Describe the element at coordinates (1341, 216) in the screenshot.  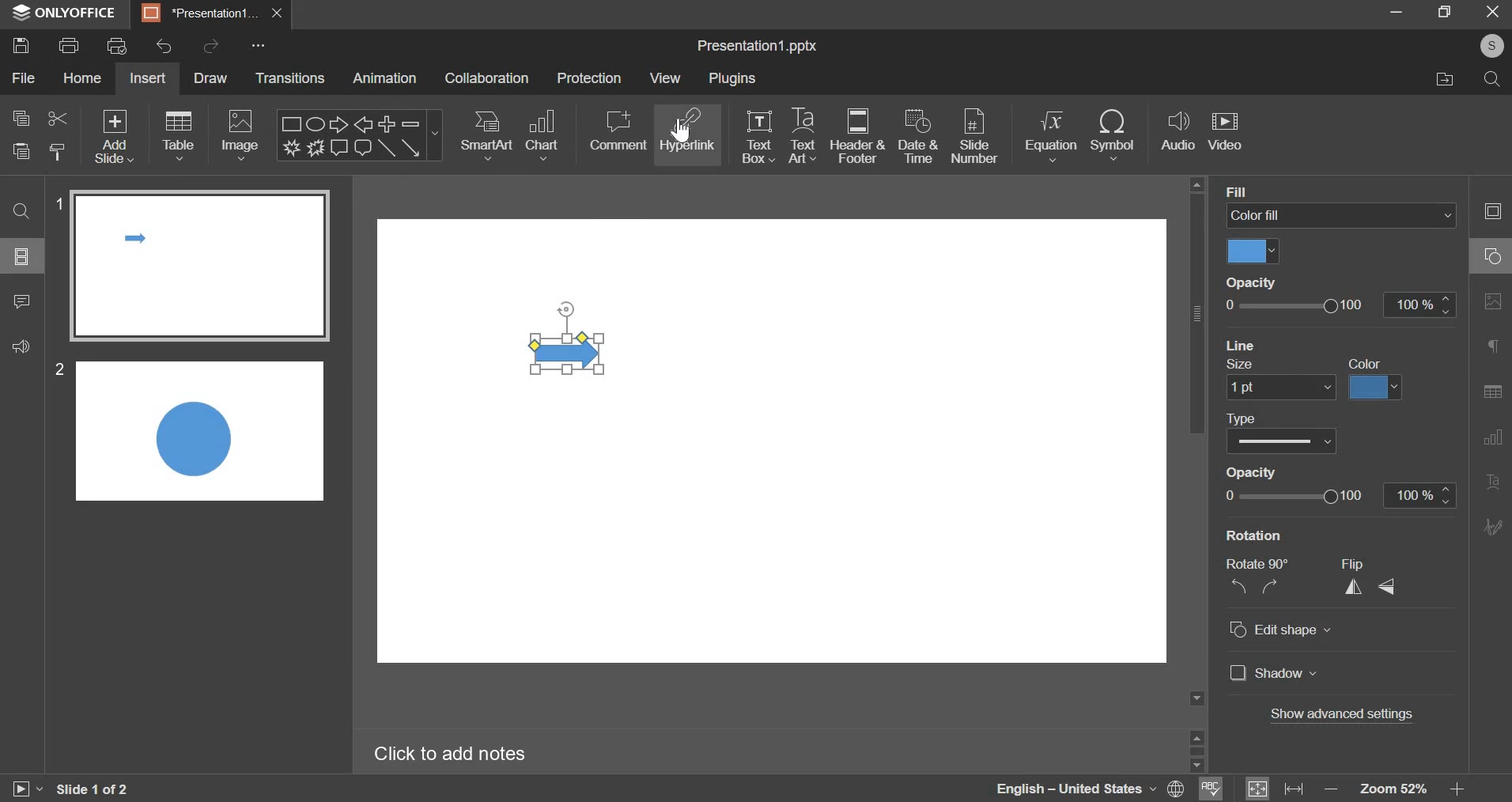
I see `color fill` at that location.